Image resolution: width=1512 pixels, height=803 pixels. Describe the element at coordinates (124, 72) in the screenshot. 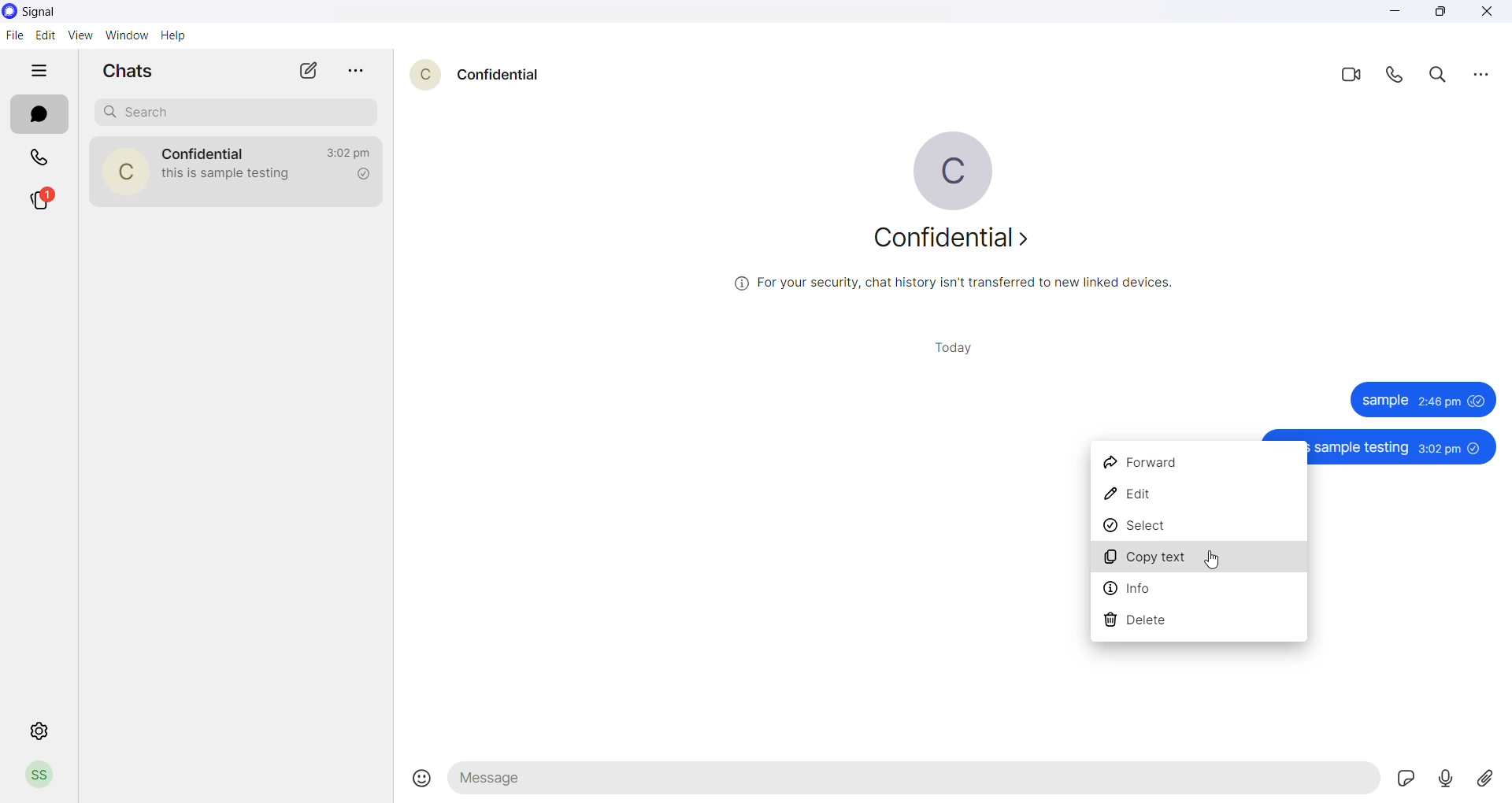

I see `chats heading` at that location.